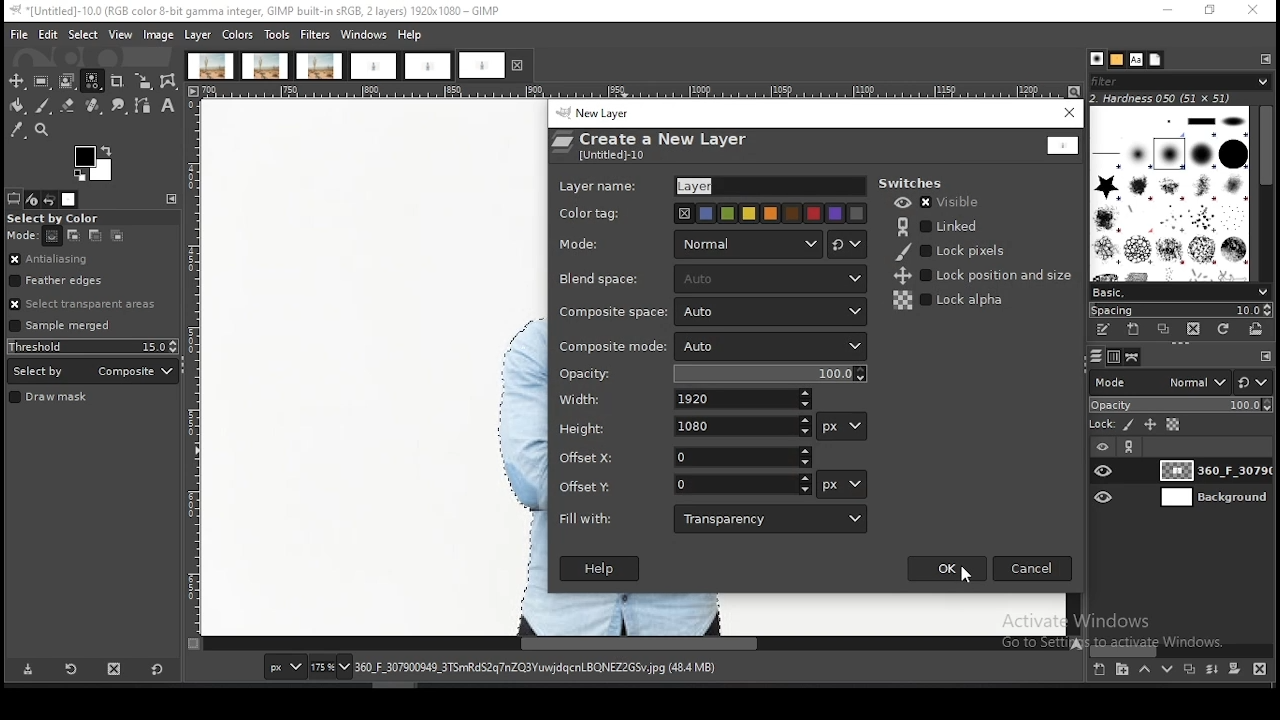  I want to click on visible, so click(940, 201).